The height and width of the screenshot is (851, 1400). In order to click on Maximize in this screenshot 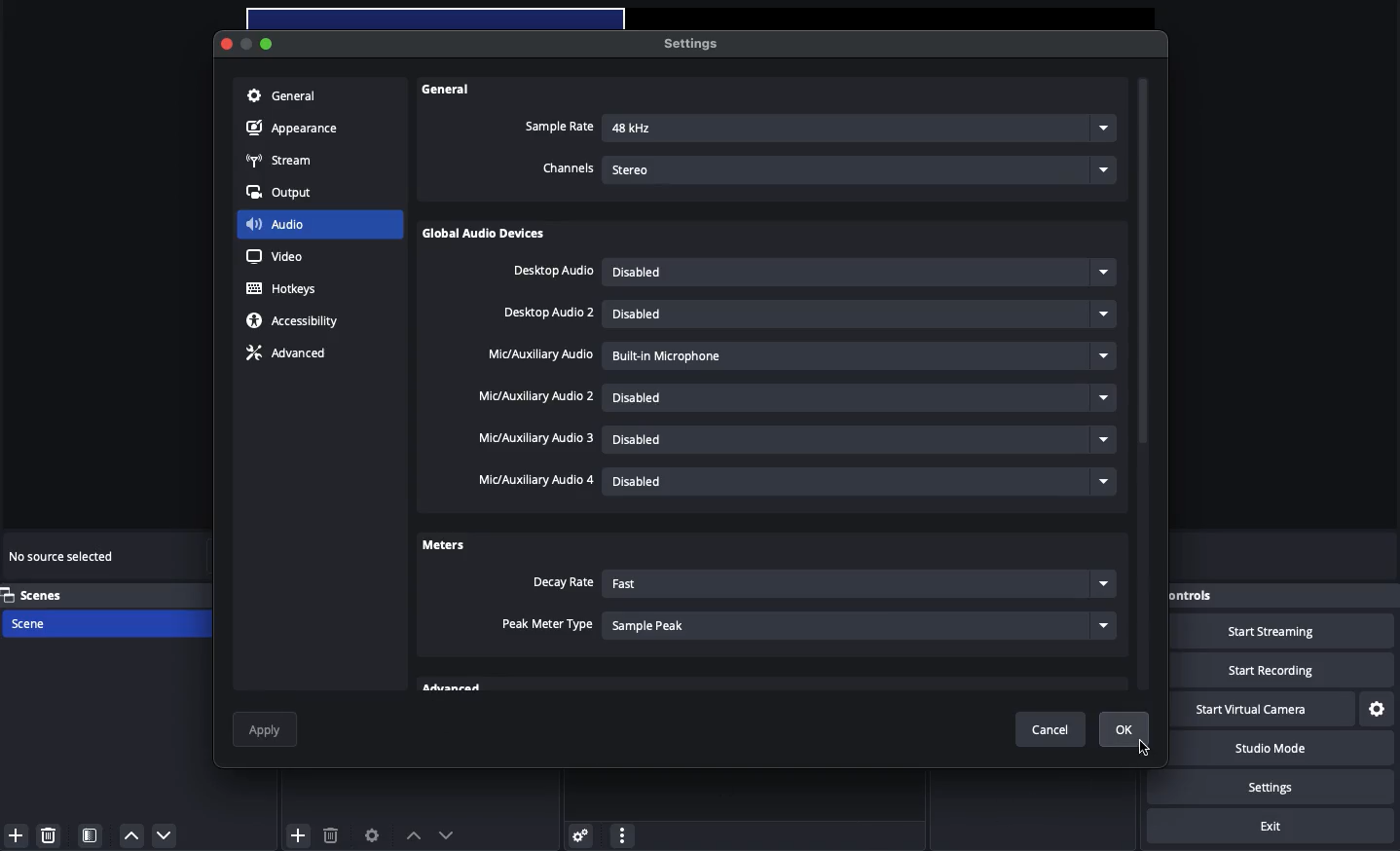, I will do `click(269, 43)`.